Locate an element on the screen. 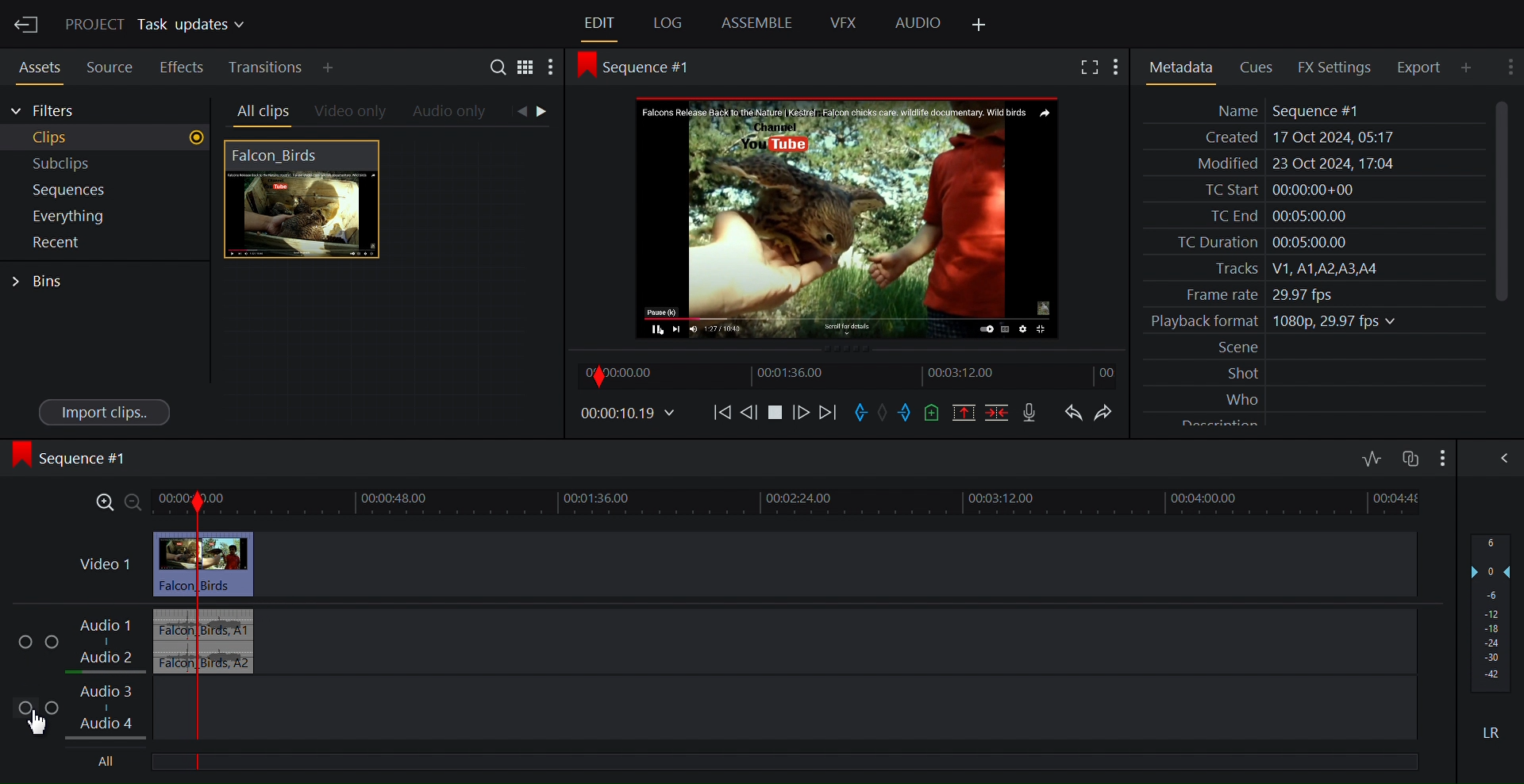 The image size is (1524, 784). Videos only is located at coordinates (351, 113).